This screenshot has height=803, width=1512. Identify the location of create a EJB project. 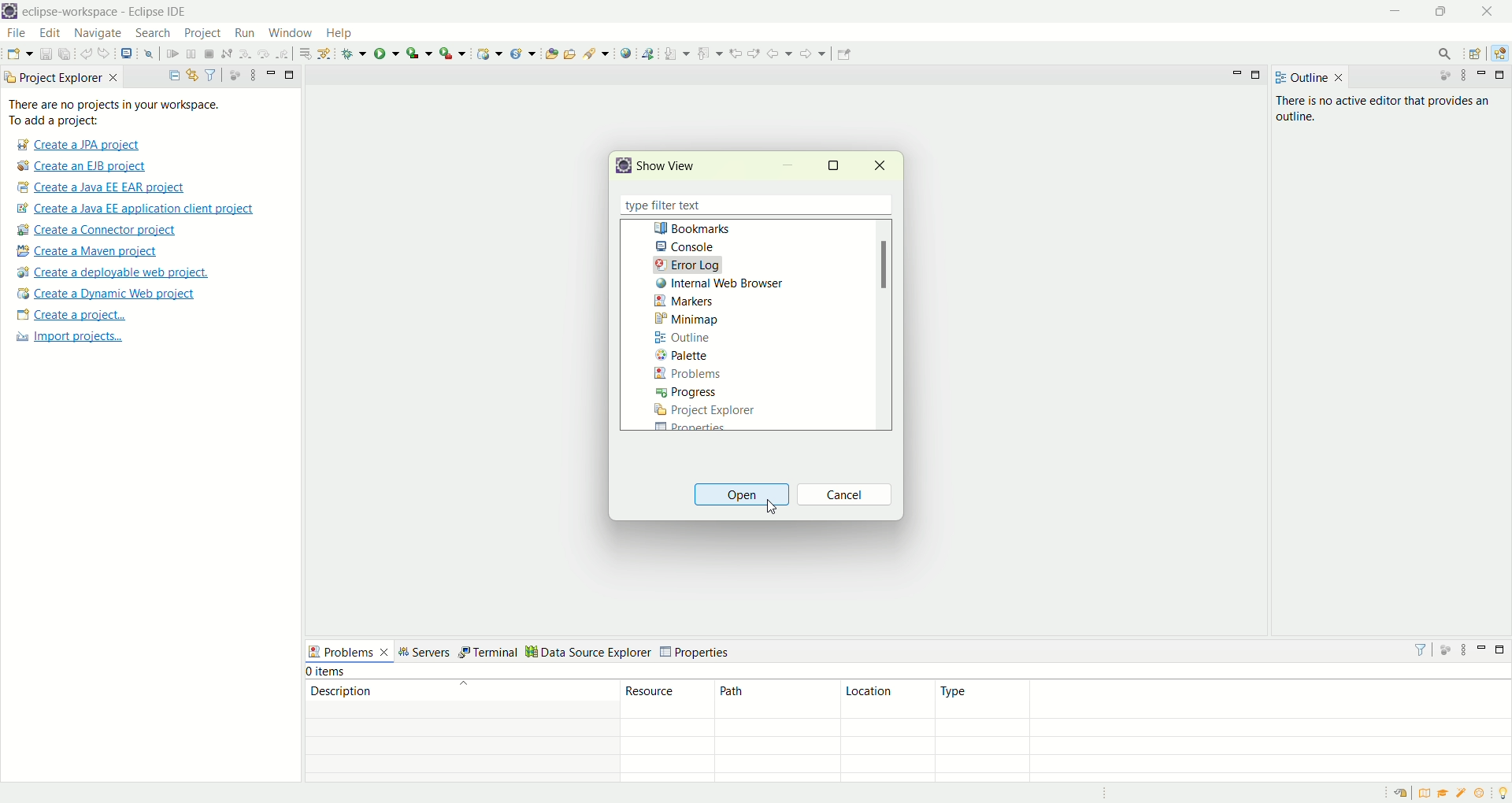
(85, 166).